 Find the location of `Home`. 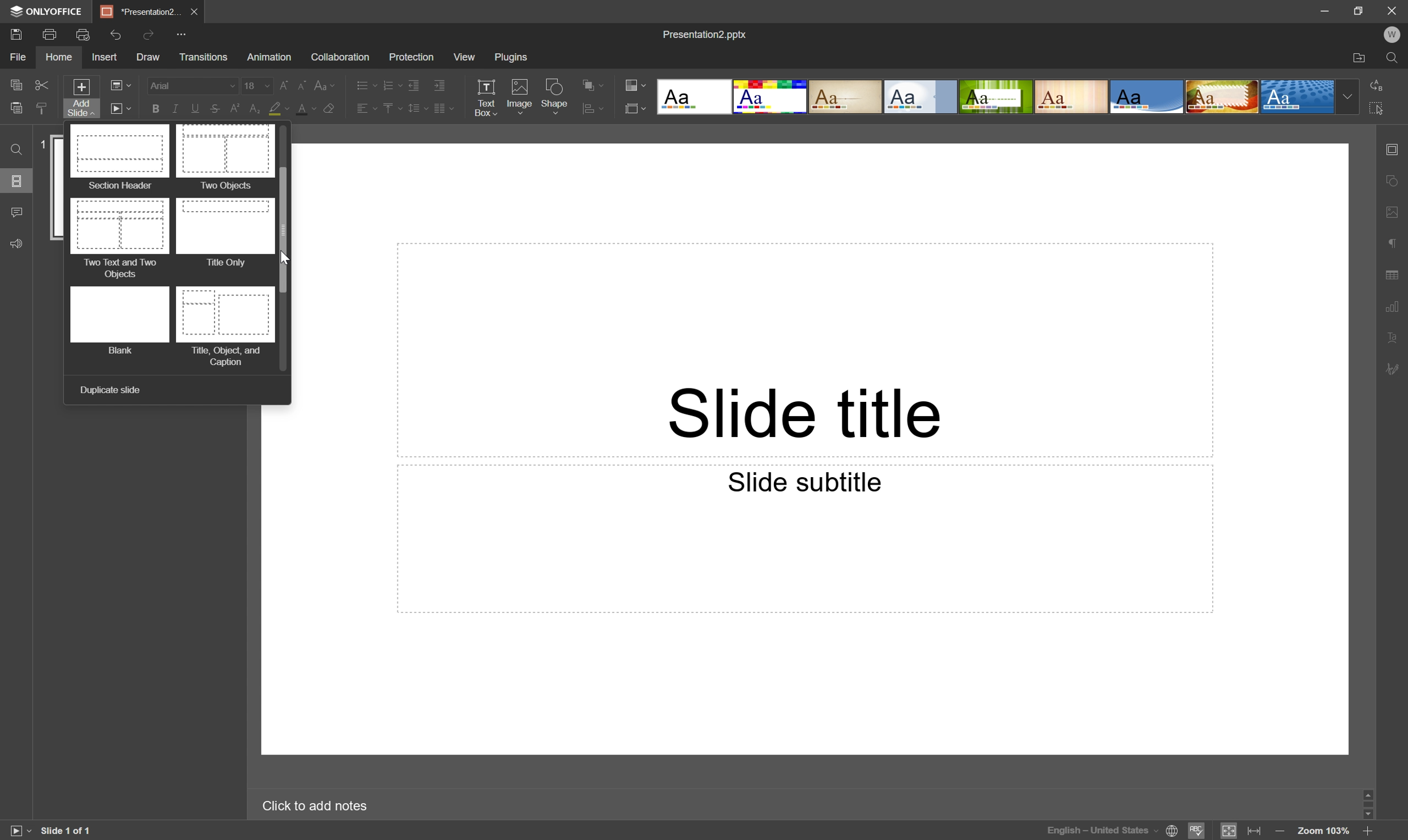

Home is located at coordinates (61, 58).